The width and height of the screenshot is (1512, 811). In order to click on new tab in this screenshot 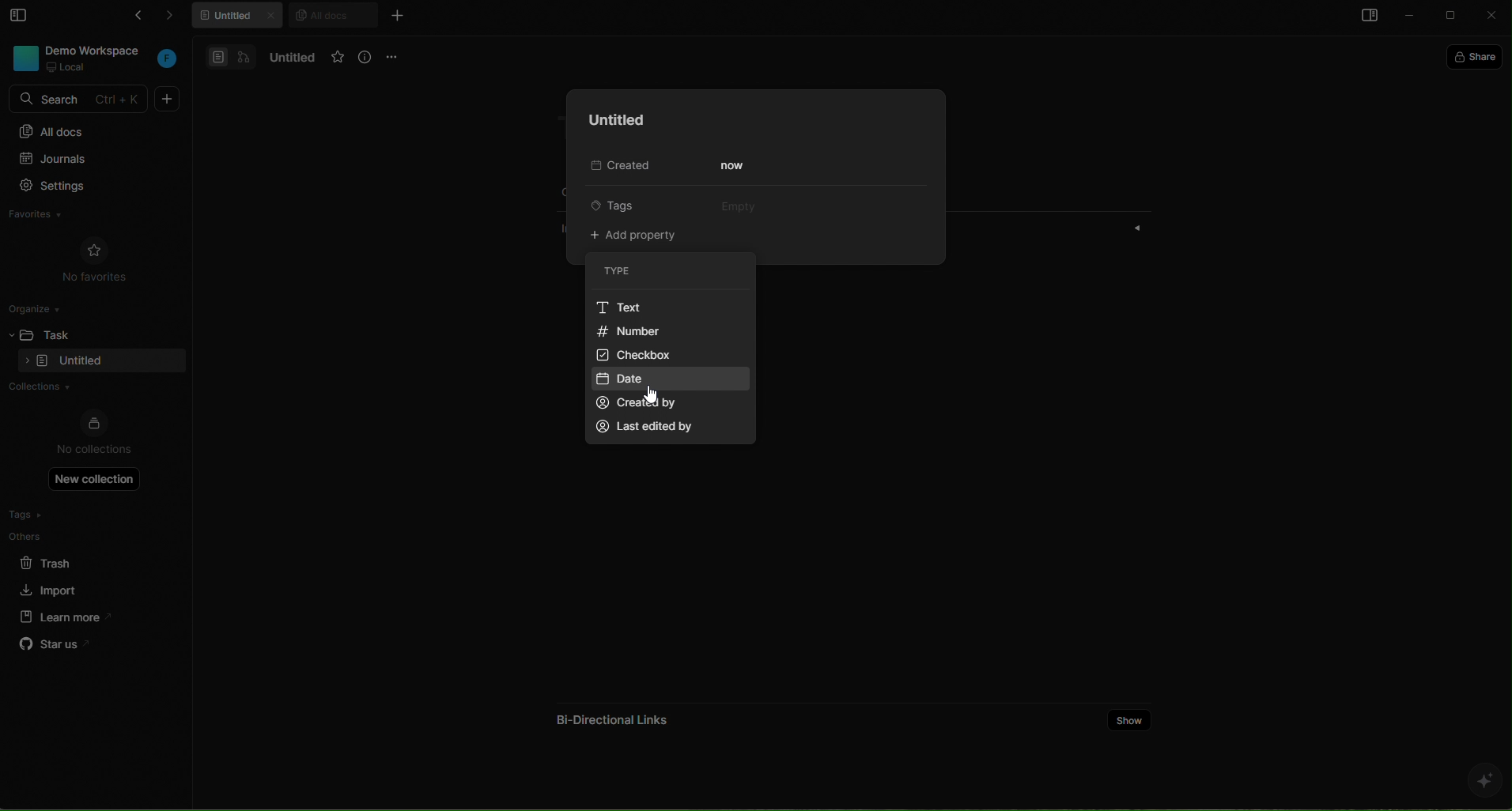, I will do `click(396, 15)`.